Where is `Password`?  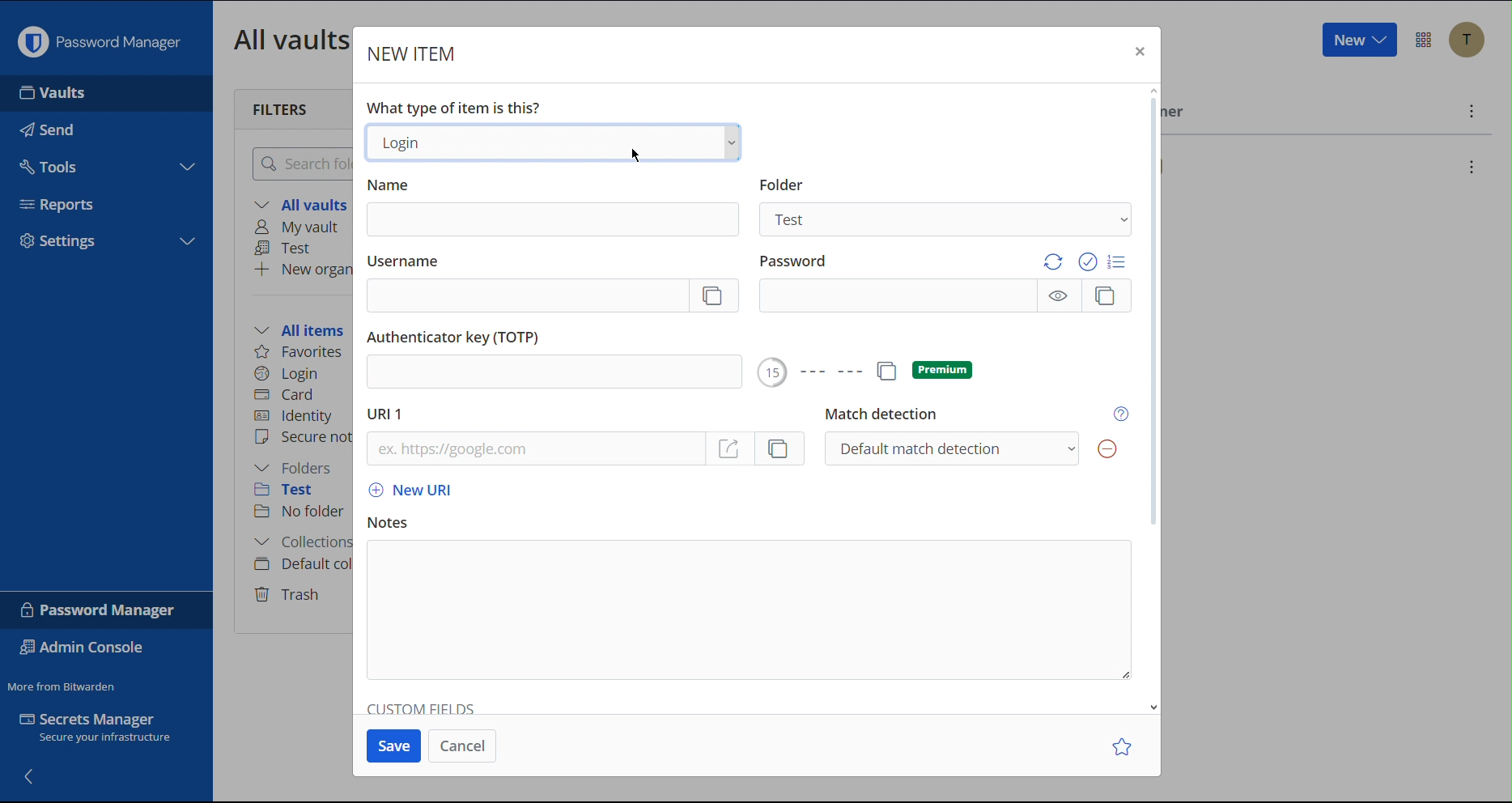
Password is located at coordinates (945, 296).